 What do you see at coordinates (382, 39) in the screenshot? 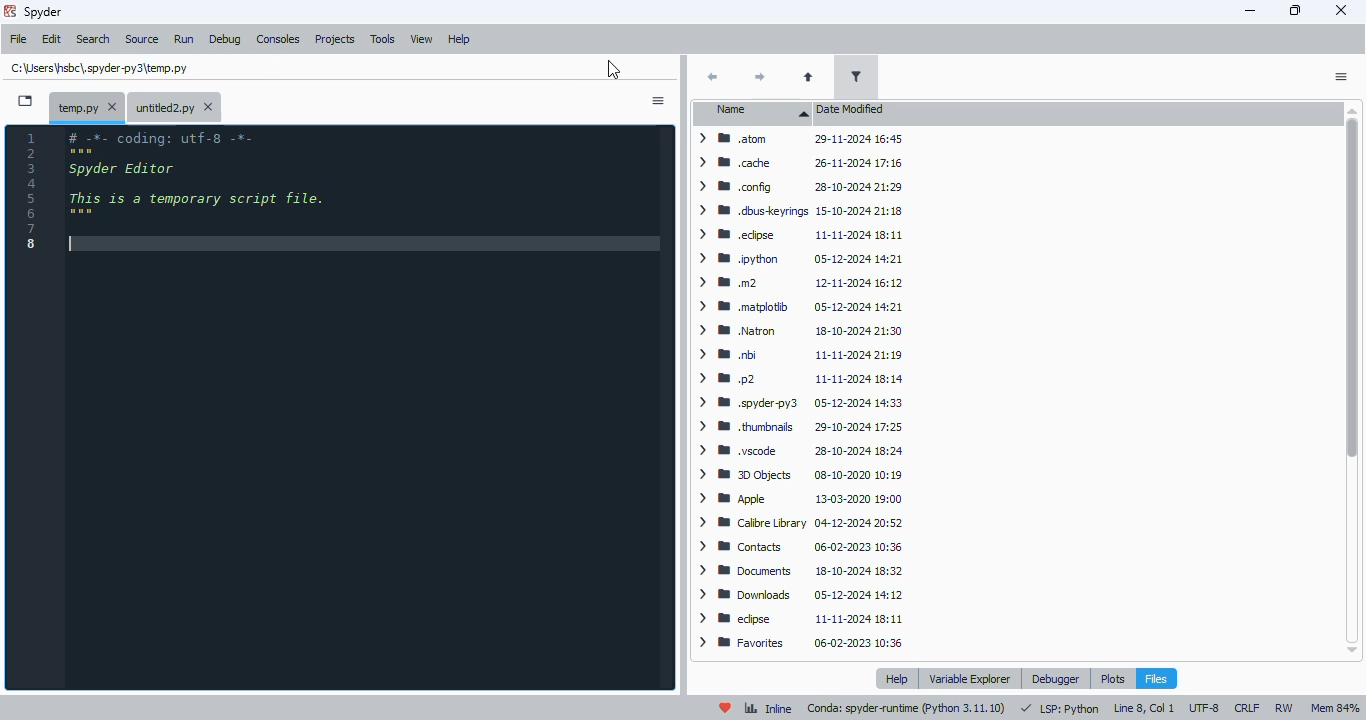
I see `tools` at bounding box center [382, 39].